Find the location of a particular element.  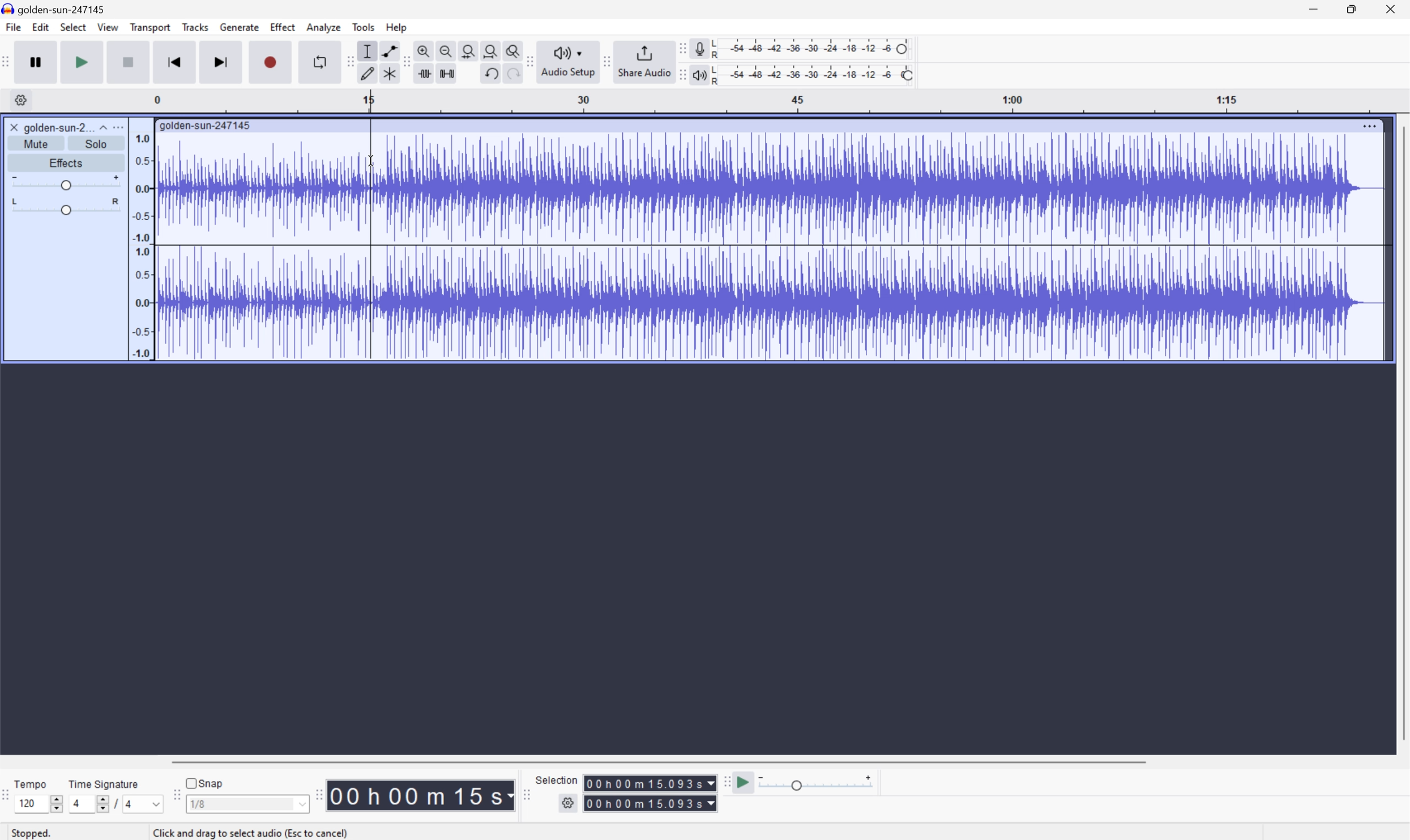

Skip to end is located at coordinates (222, 62).